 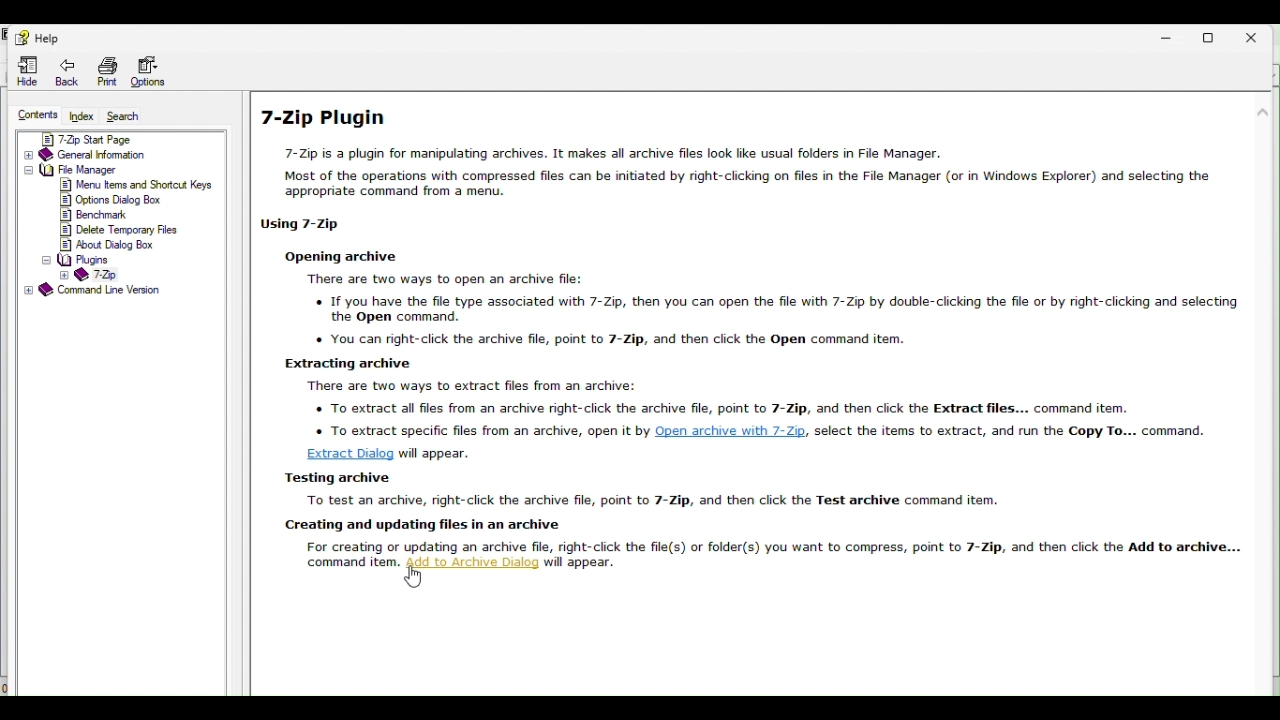 I want to click on Hide, so click(x=25, y=72).